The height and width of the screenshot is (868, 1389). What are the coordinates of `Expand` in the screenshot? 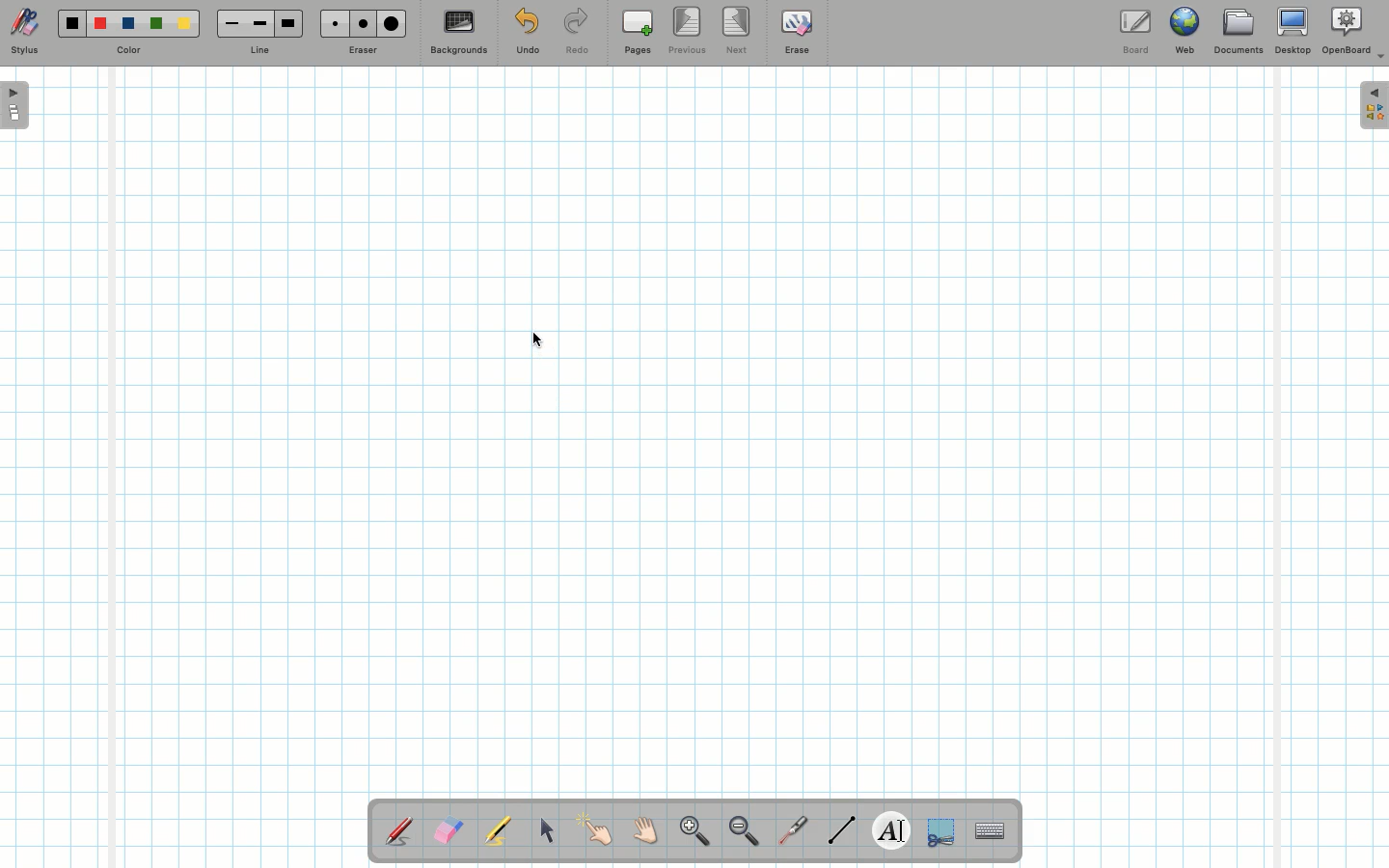 It's located at (1374, 105).